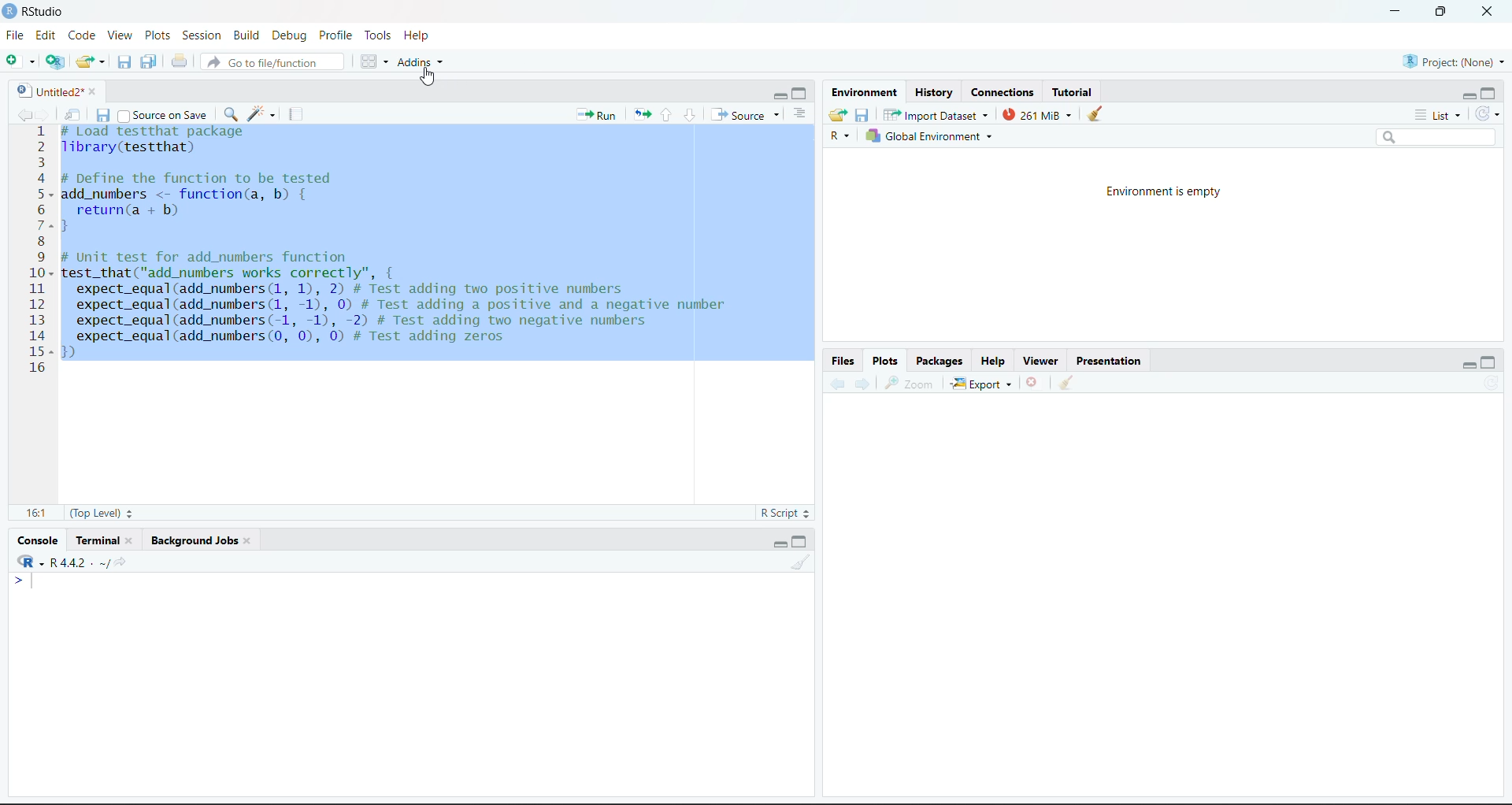 This screenshot has height=805, width=1512. I want to click on typing cursor, so click(27, 583).